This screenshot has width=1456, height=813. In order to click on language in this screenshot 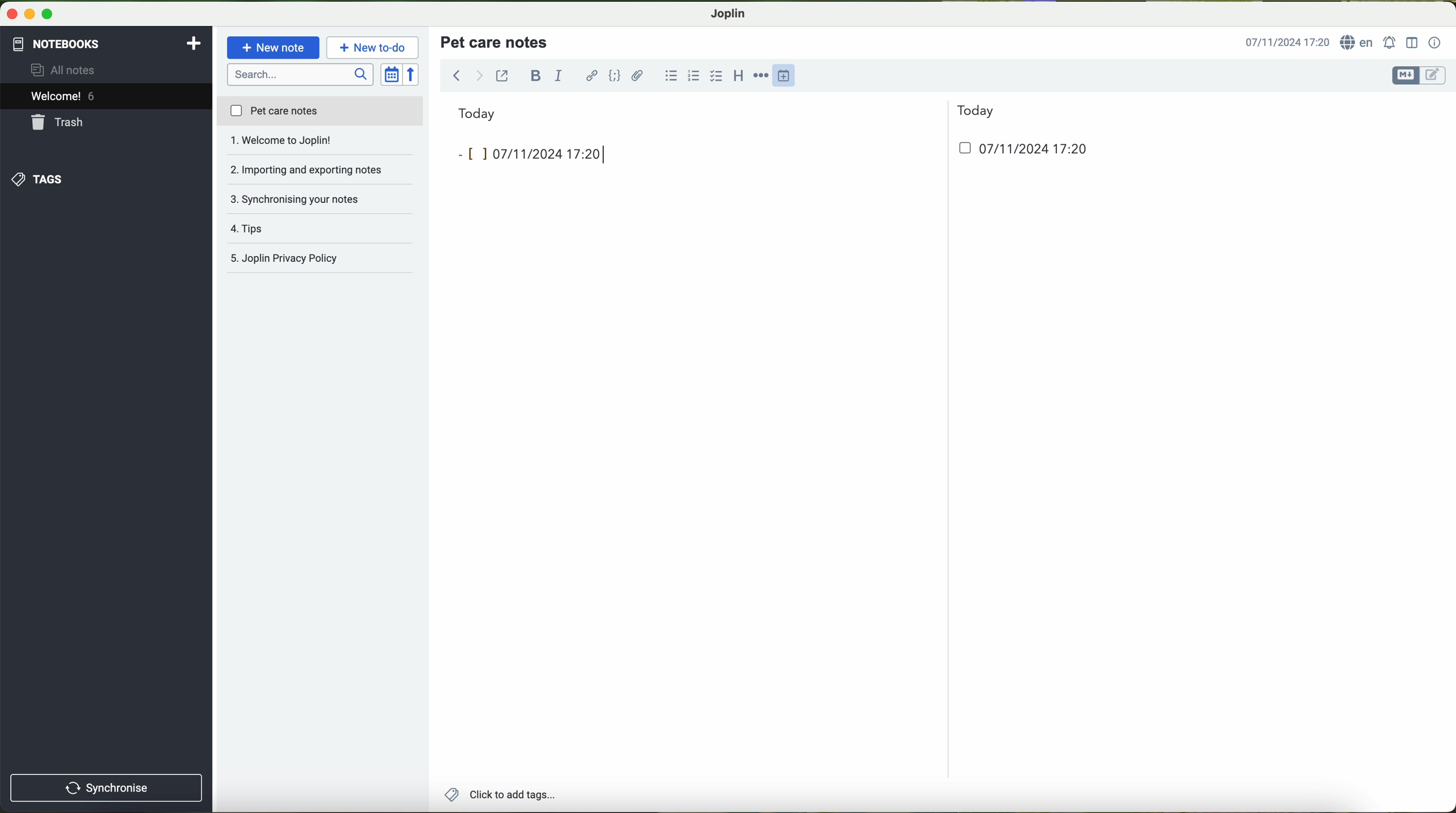, I will do `click(1359, 43)`.